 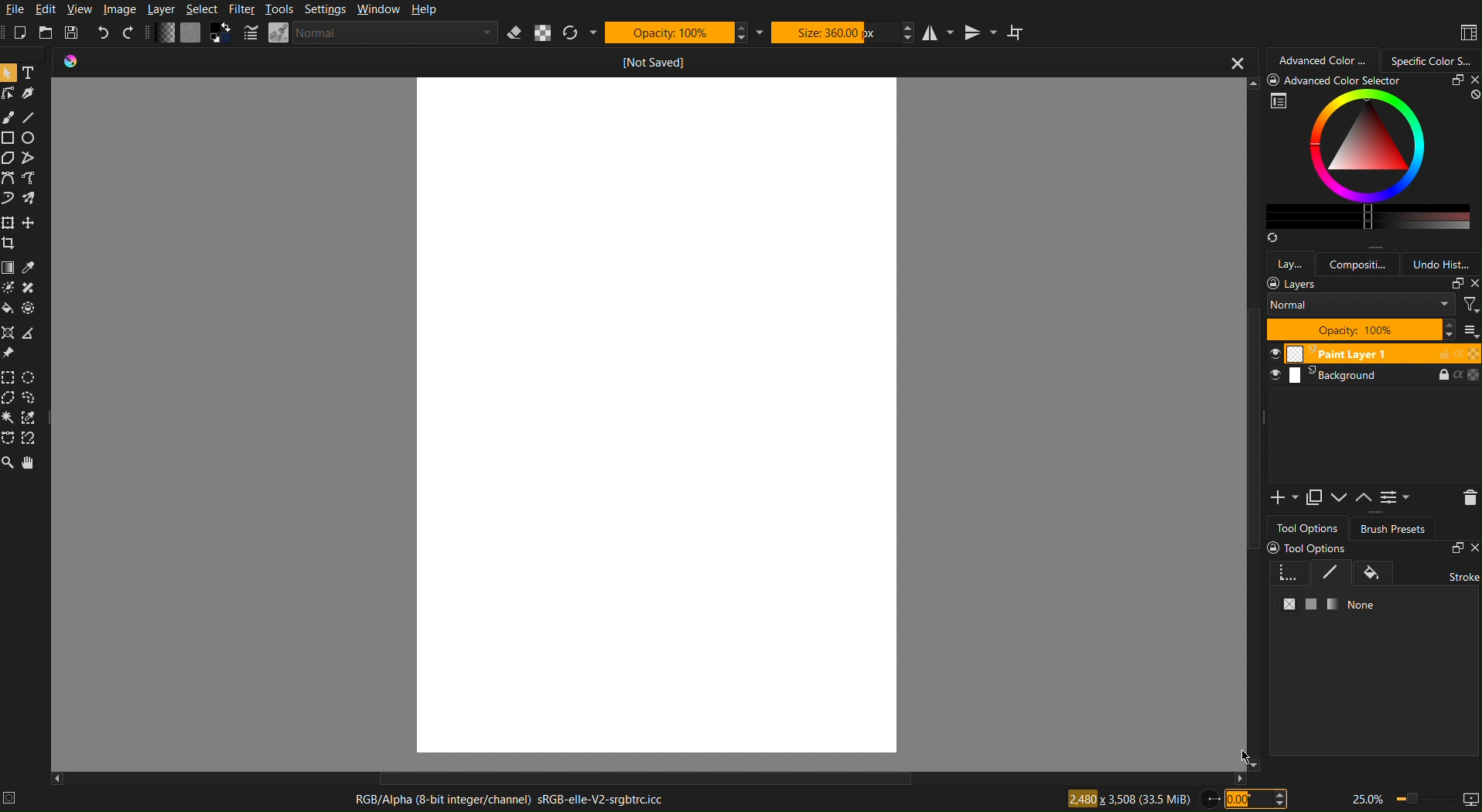 What do you see at coordinates (30, 398) in the screenshot?
I see `Lasso (Freehand) Selection Tool` at bounding box center [30, 398].